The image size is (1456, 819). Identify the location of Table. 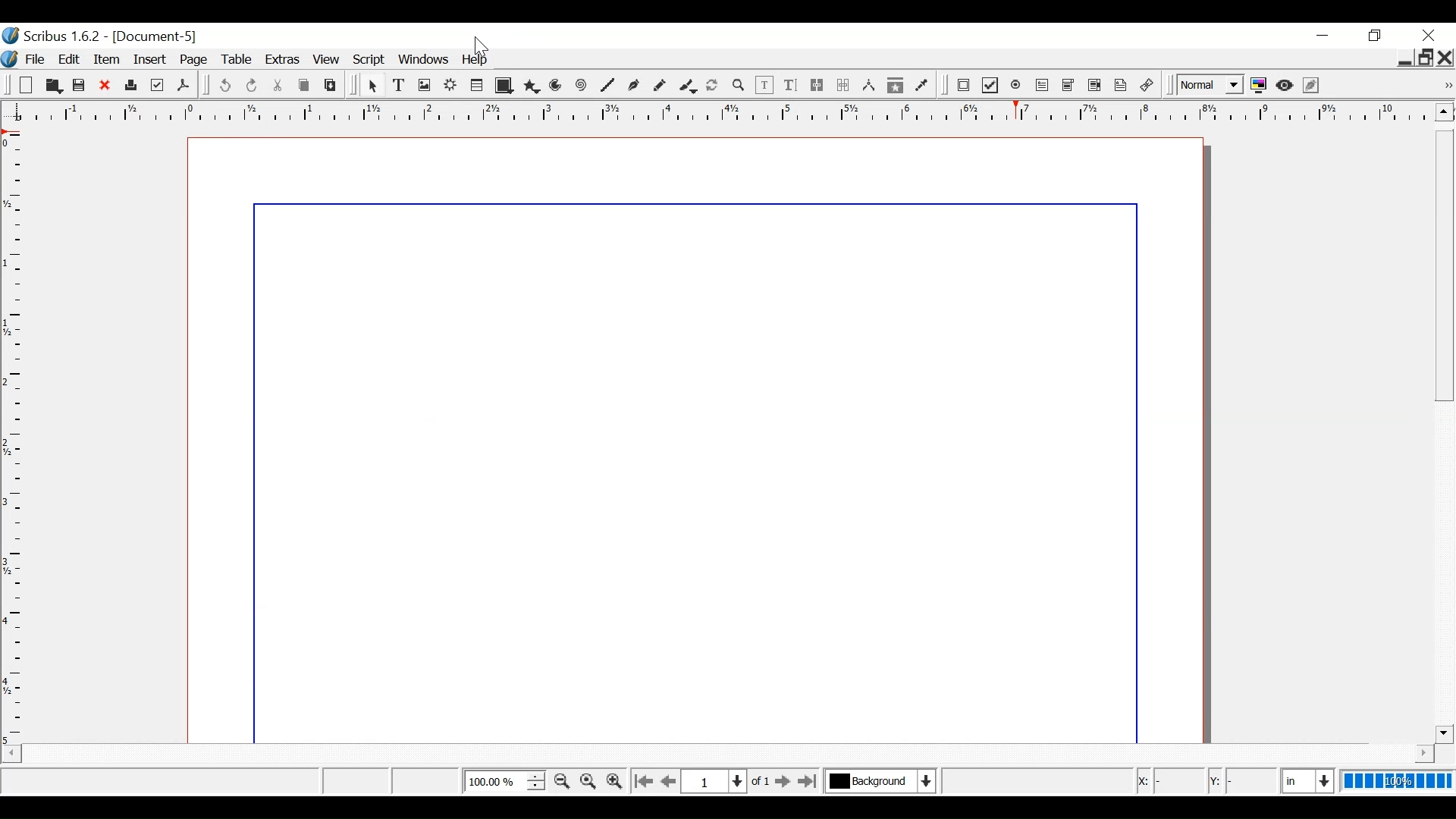
(240, 61).